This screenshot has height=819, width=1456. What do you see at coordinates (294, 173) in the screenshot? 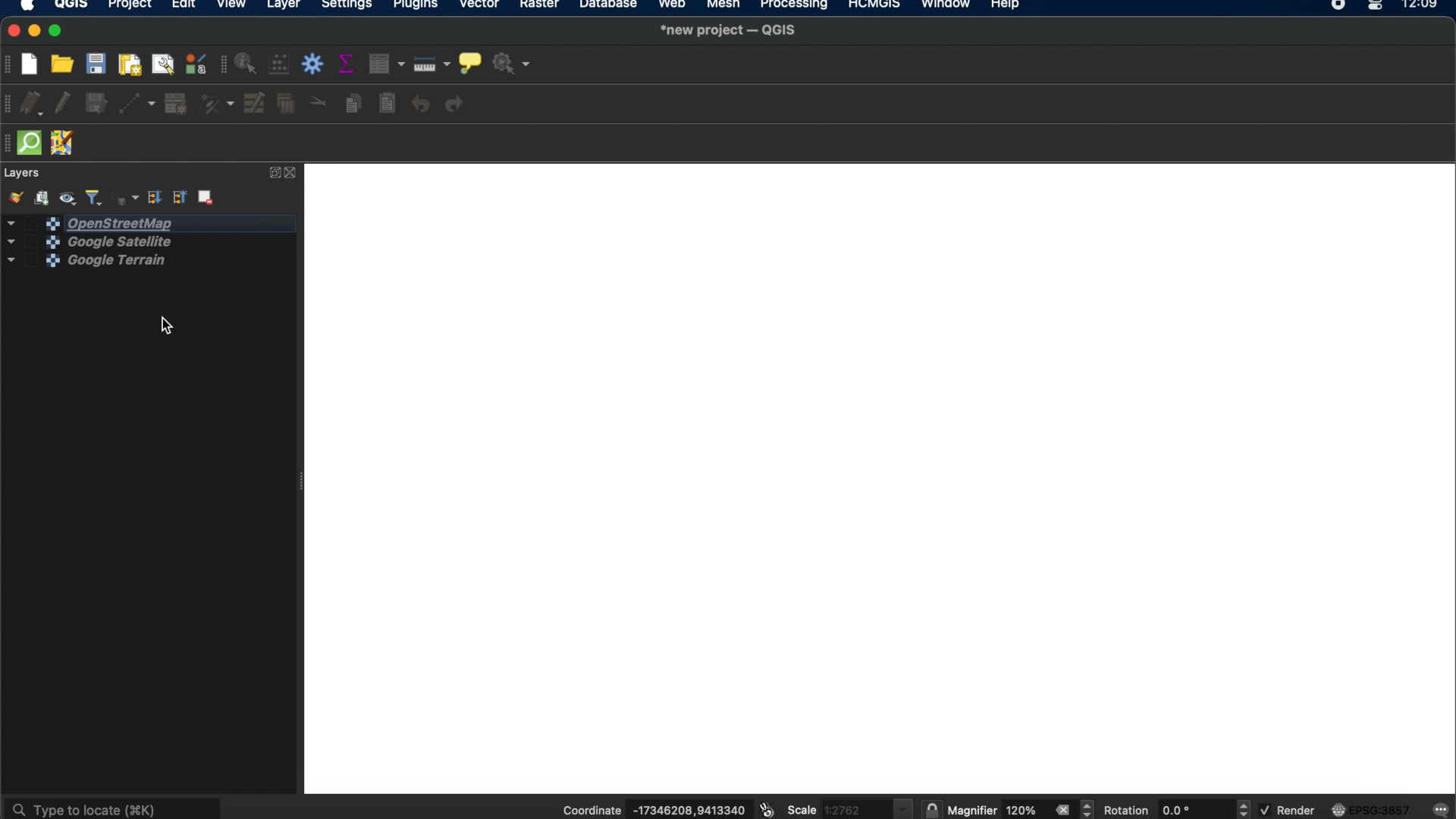
I see `close` at bounding box center [294, 173].